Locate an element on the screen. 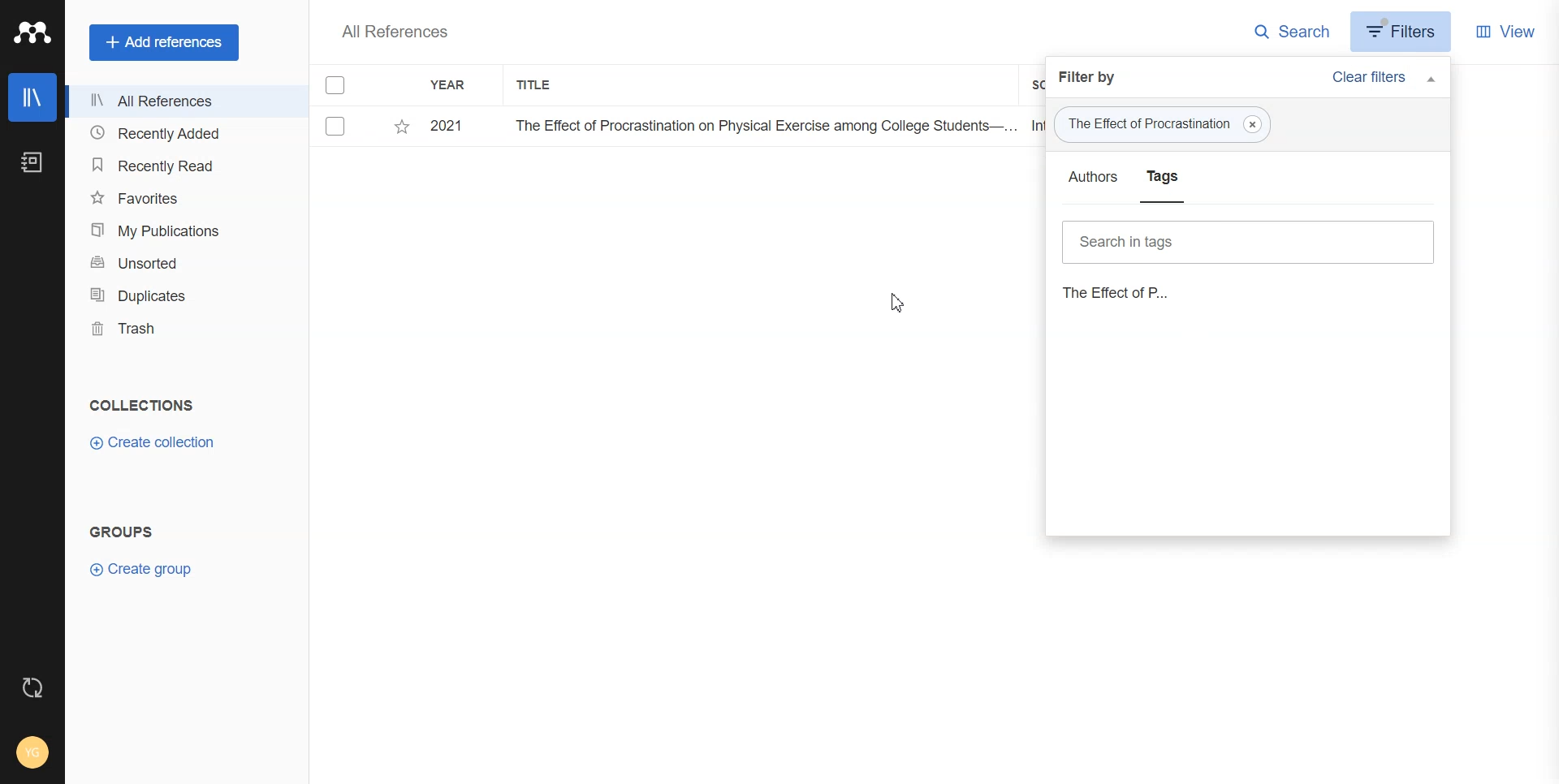  Close is located at coordinates (1256, 124).